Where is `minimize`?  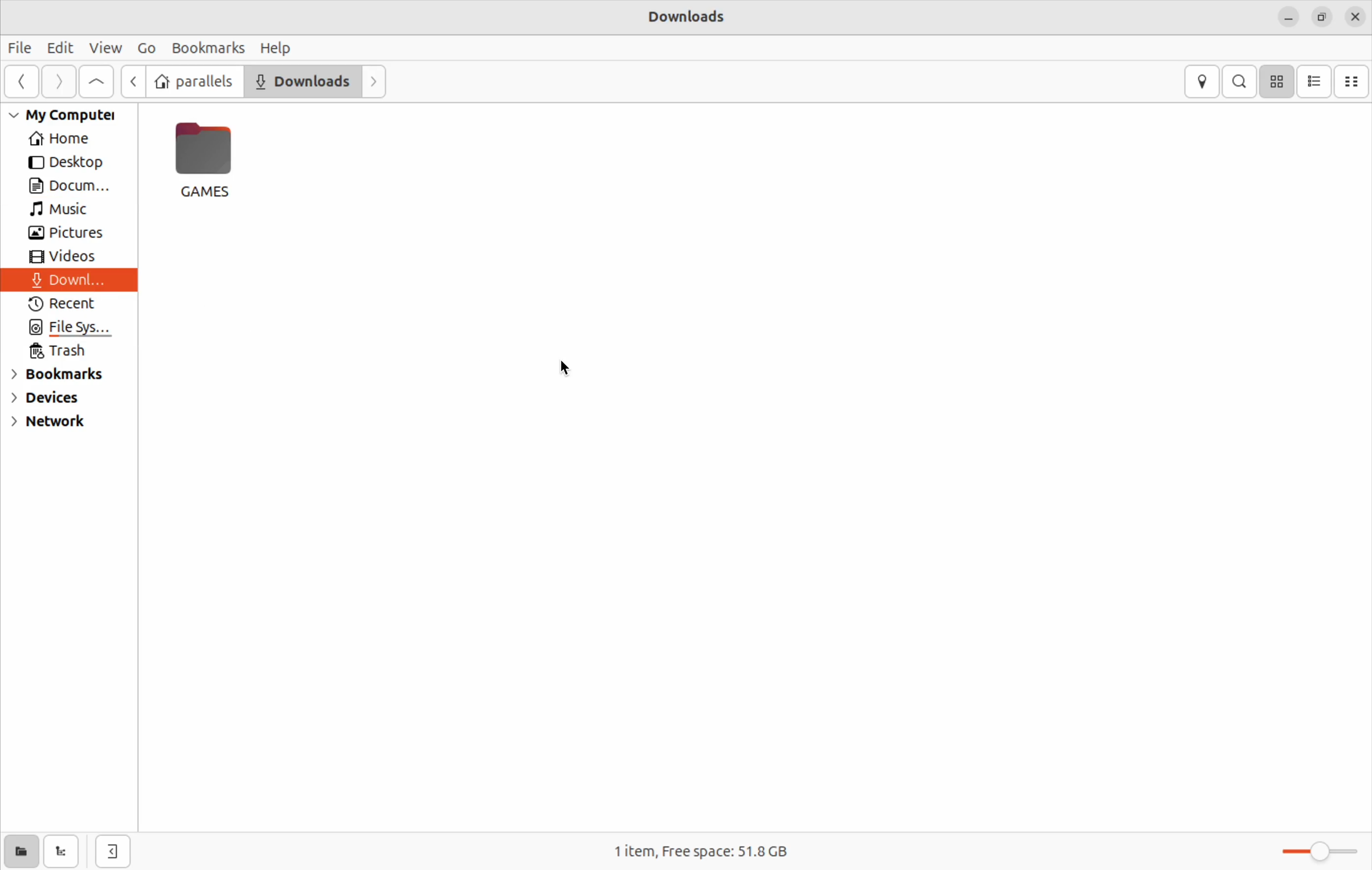
minimize is located at coordinates (1287, 19).